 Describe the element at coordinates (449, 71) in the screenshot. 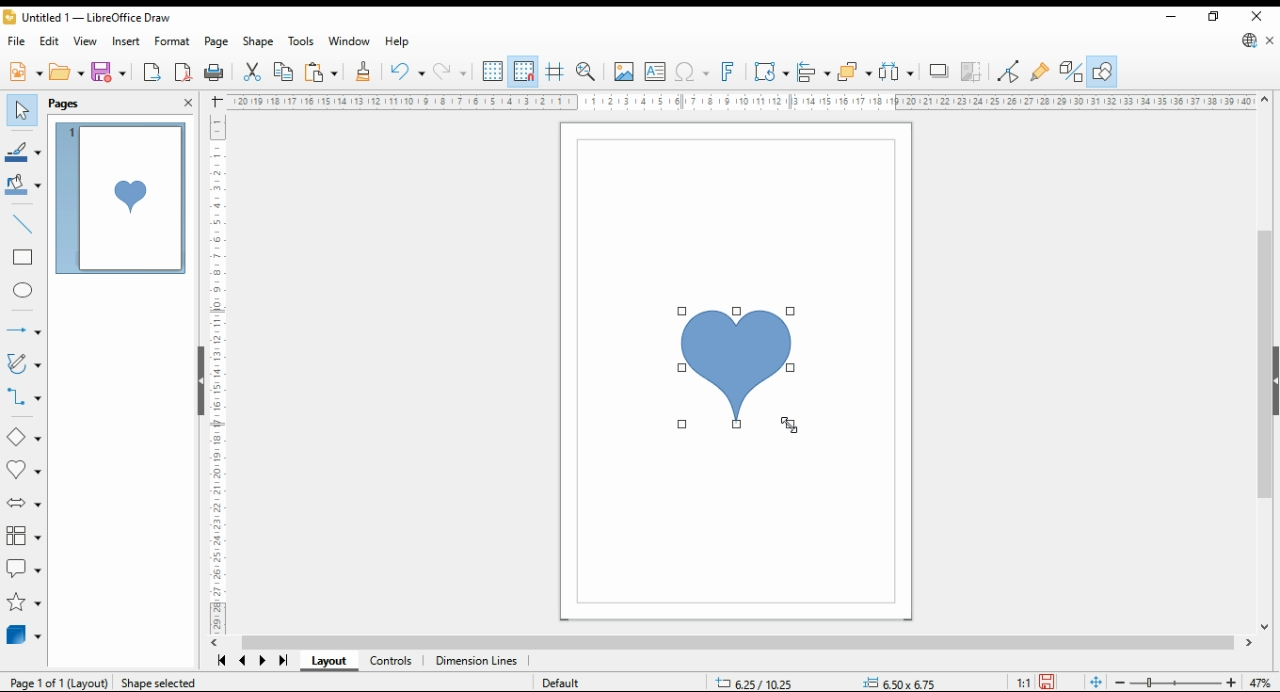

I see `redo` at that location.